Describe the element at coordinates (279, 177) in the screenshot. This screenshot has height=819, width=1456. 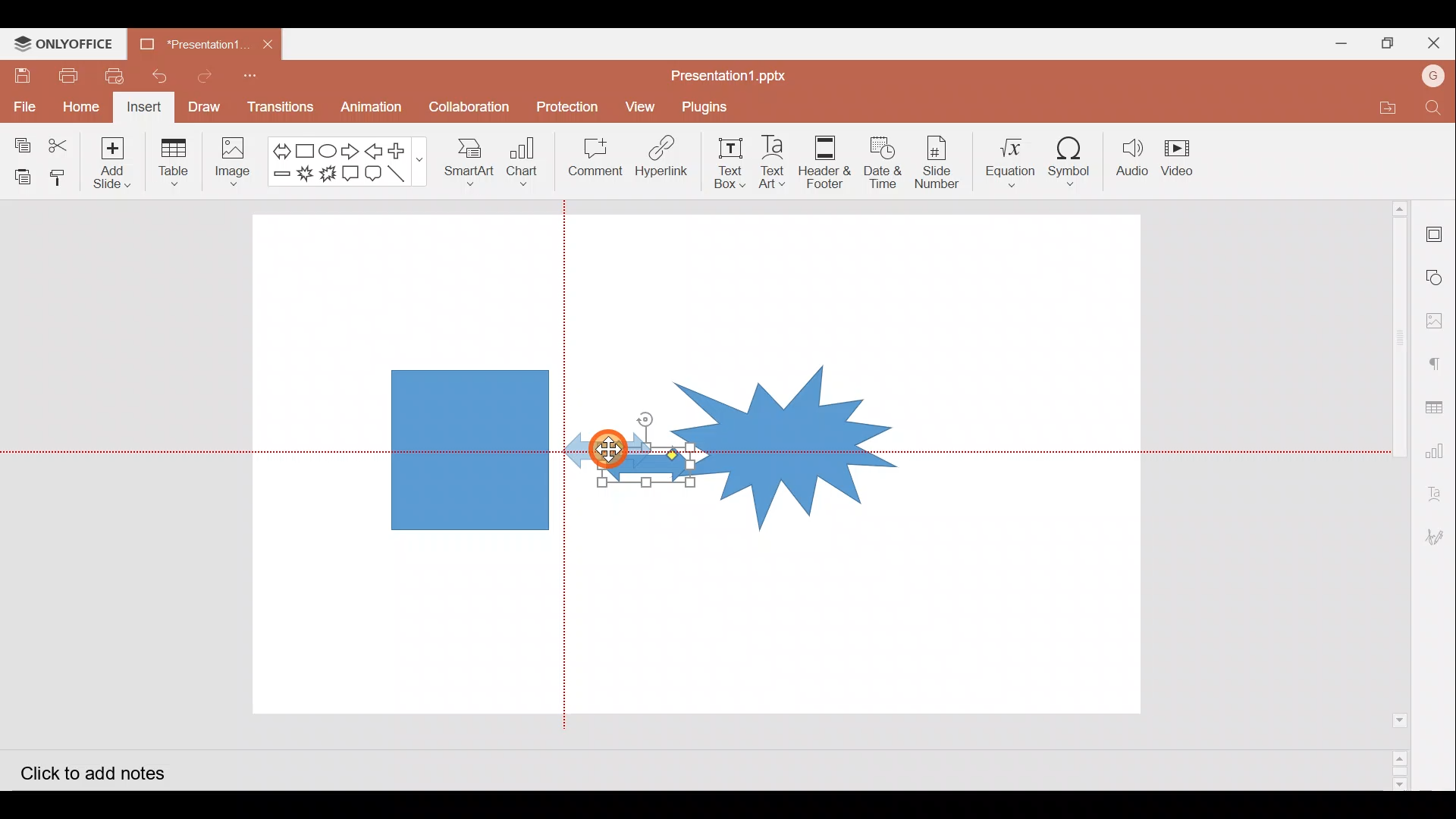
I see `Minus` at that location.